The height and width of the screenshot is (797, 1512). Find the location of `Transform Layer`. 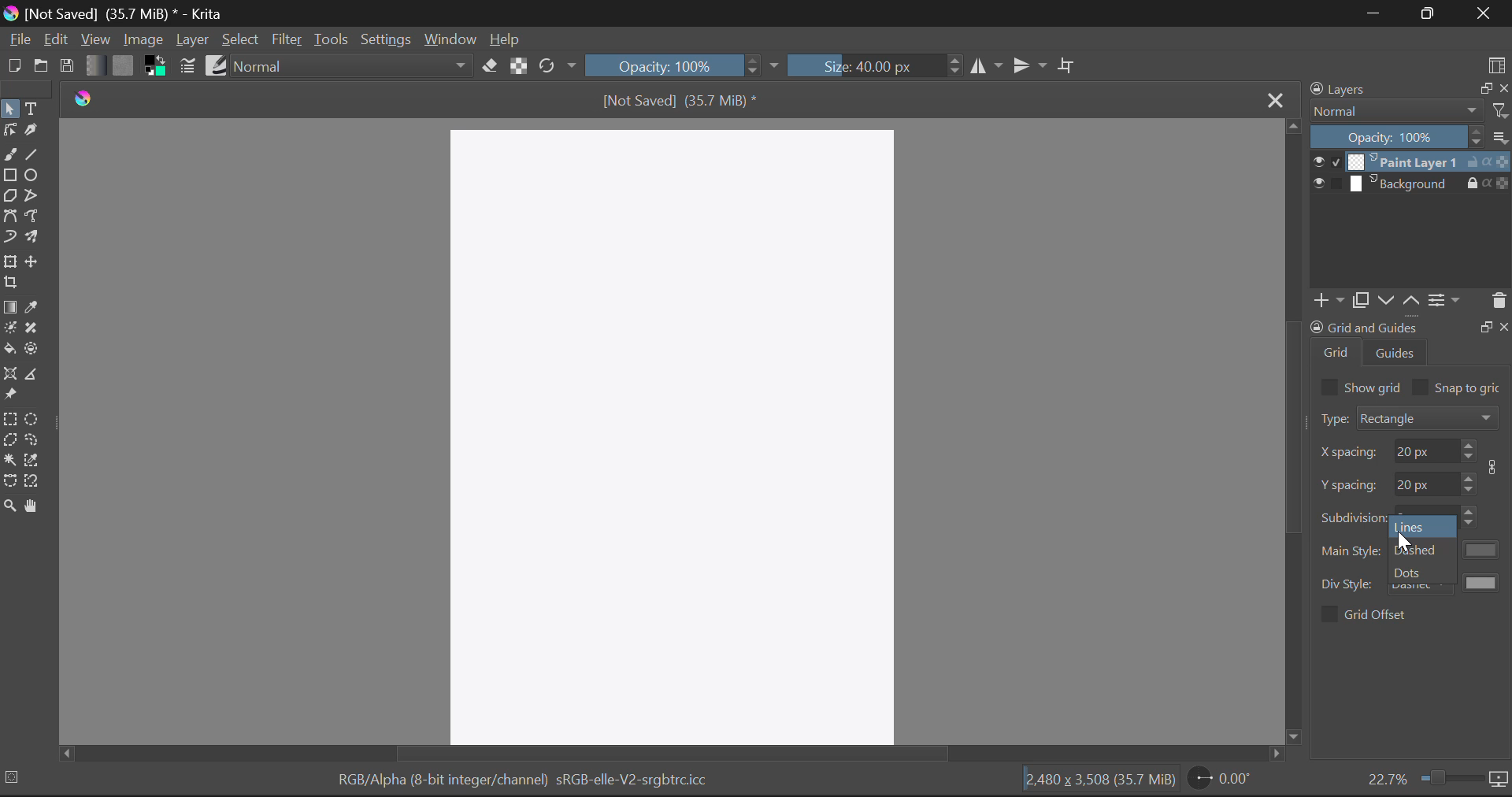

Transform Layer is located at coordinates (9, 262).